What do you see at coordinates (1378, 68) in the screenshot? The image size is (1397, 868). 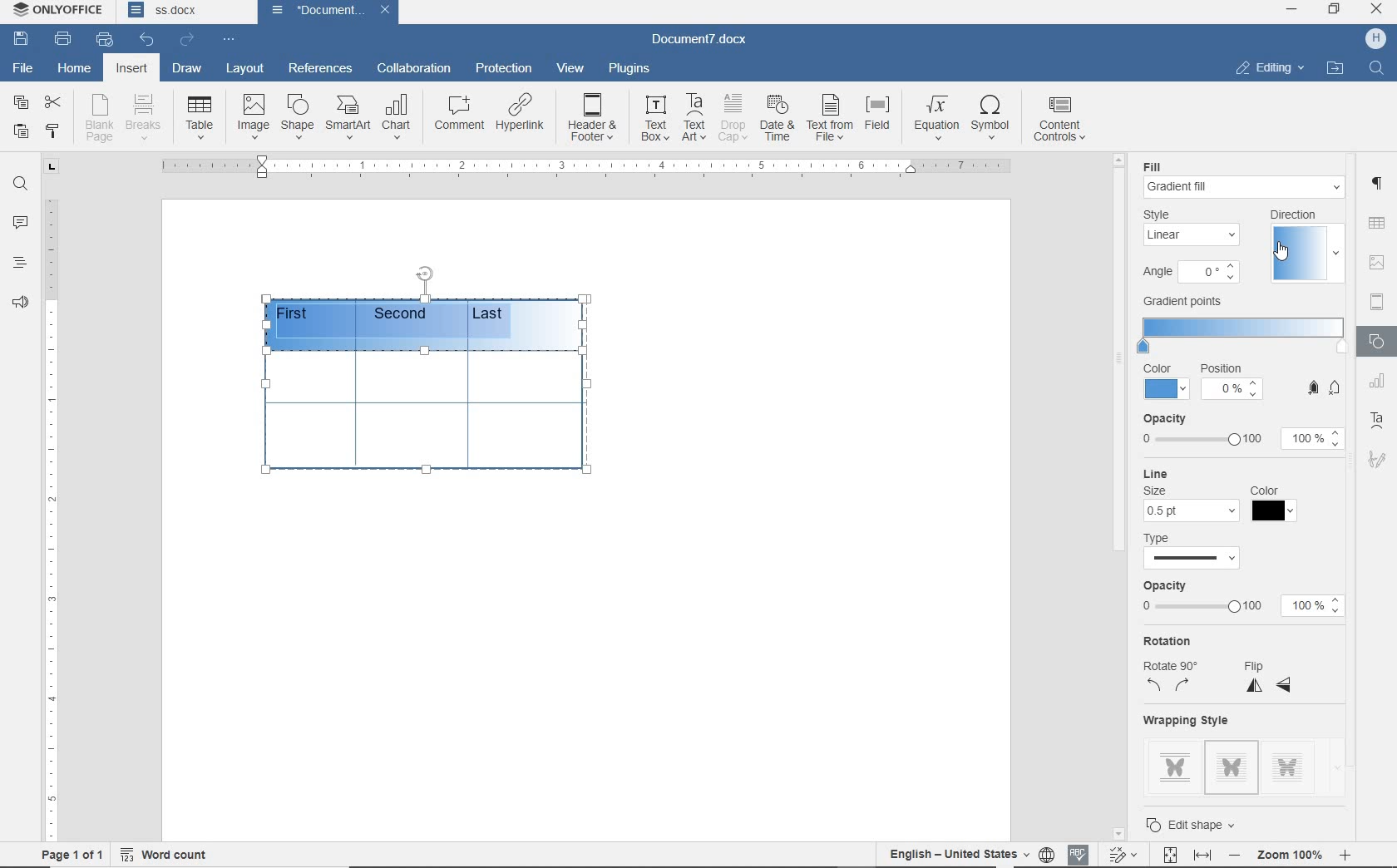 I see `FIND` at bounding box center [1378, 68].